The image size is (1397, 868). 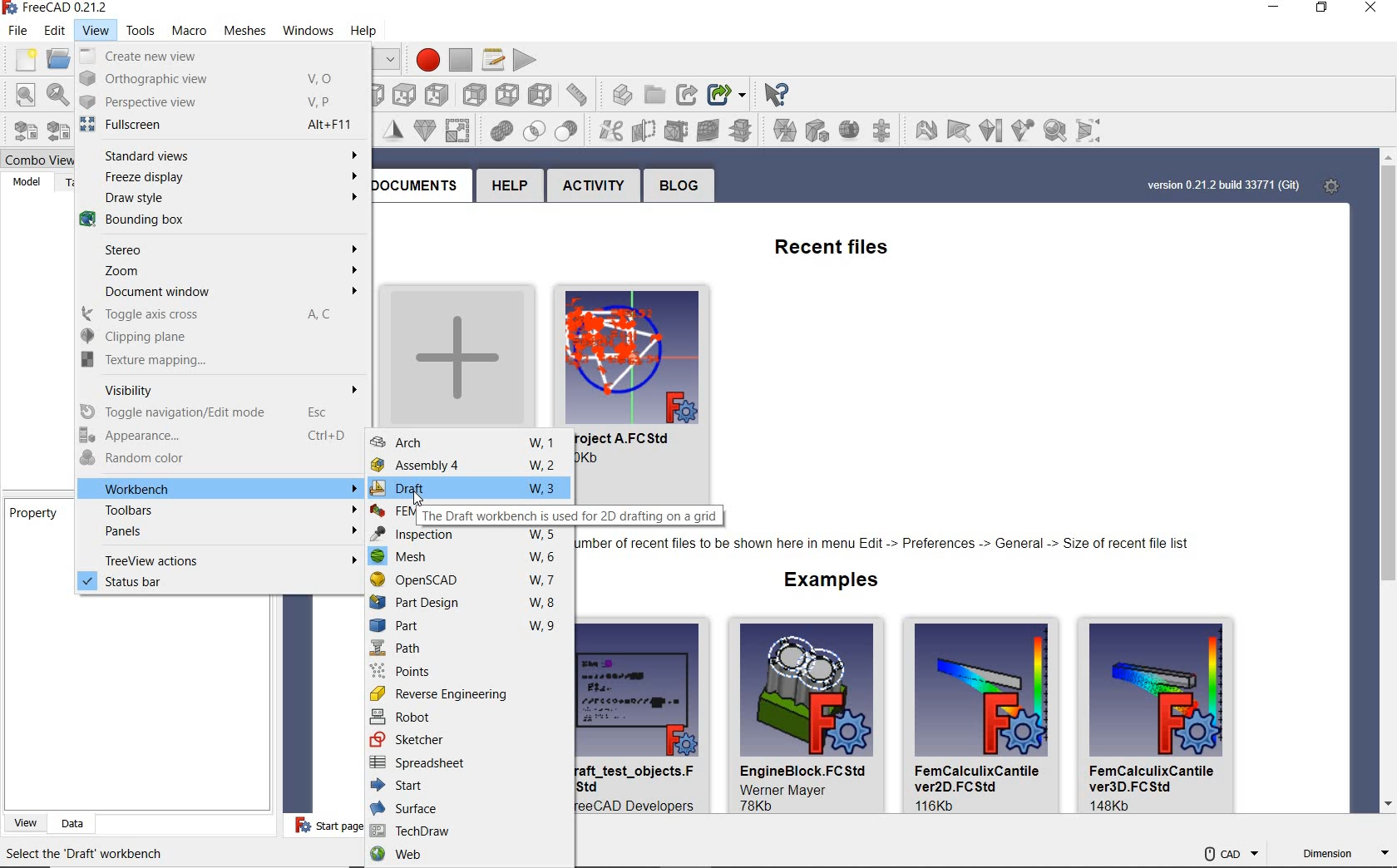 I want to click on part, so click(x=468, y=628).